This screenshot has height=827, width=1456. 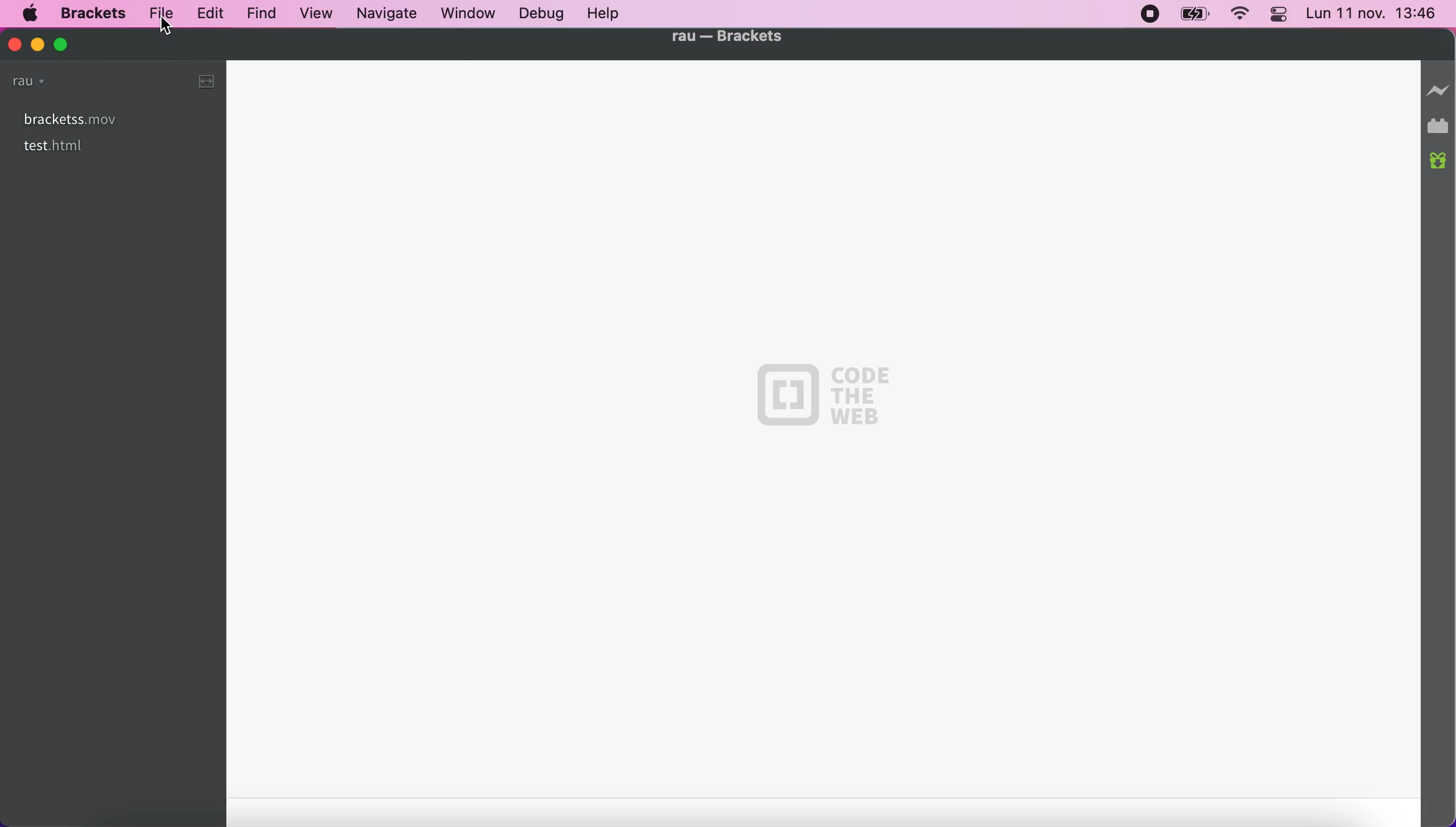 I want to click on minimize, so click(x=35, y=43).